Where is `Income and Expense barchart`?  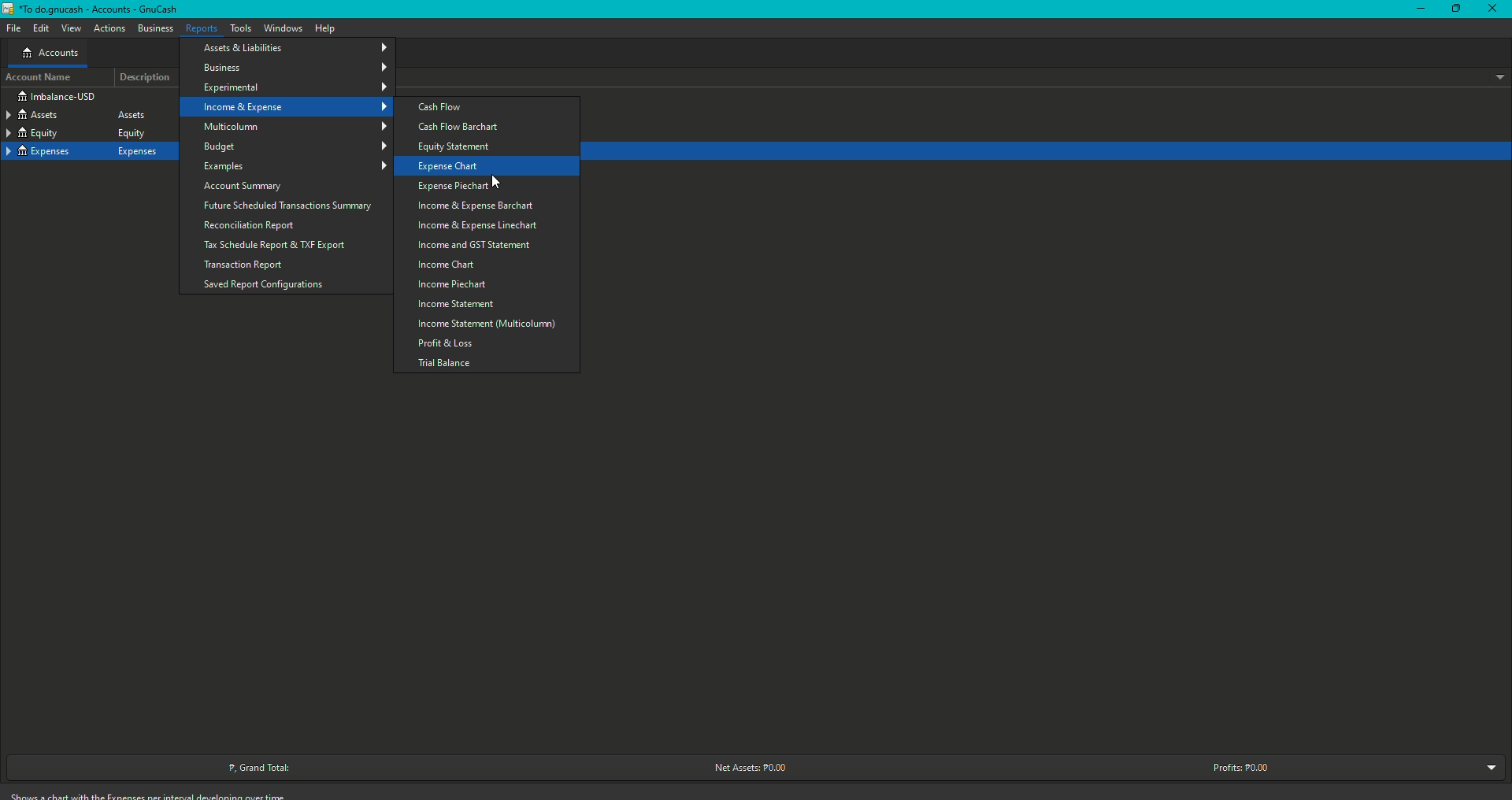
Income and Expense barchart is located at coordinates (474, 207).